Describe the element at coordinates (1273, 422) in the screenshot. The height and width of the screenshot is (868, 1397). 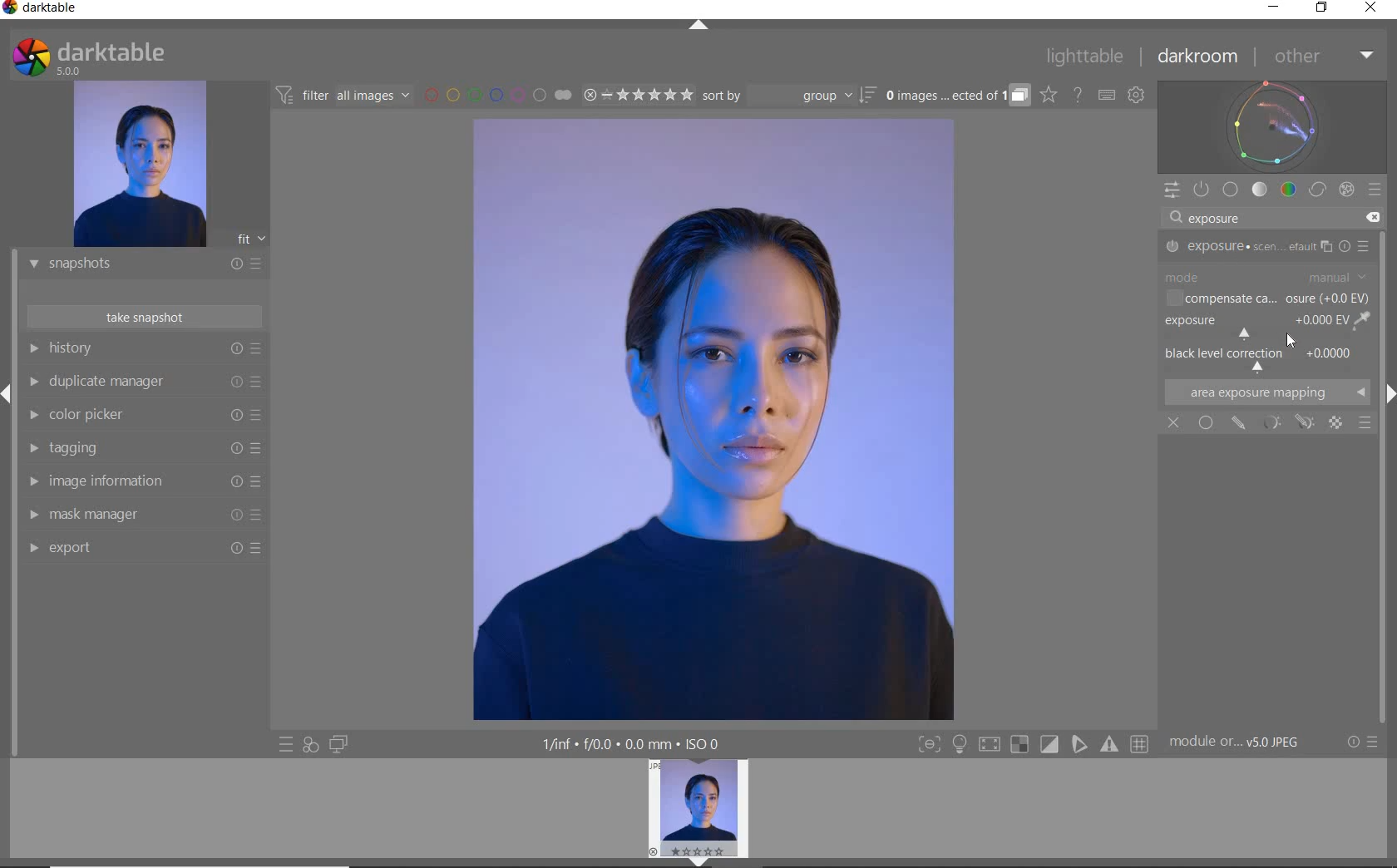
I see `MASK OPTION` at that location.